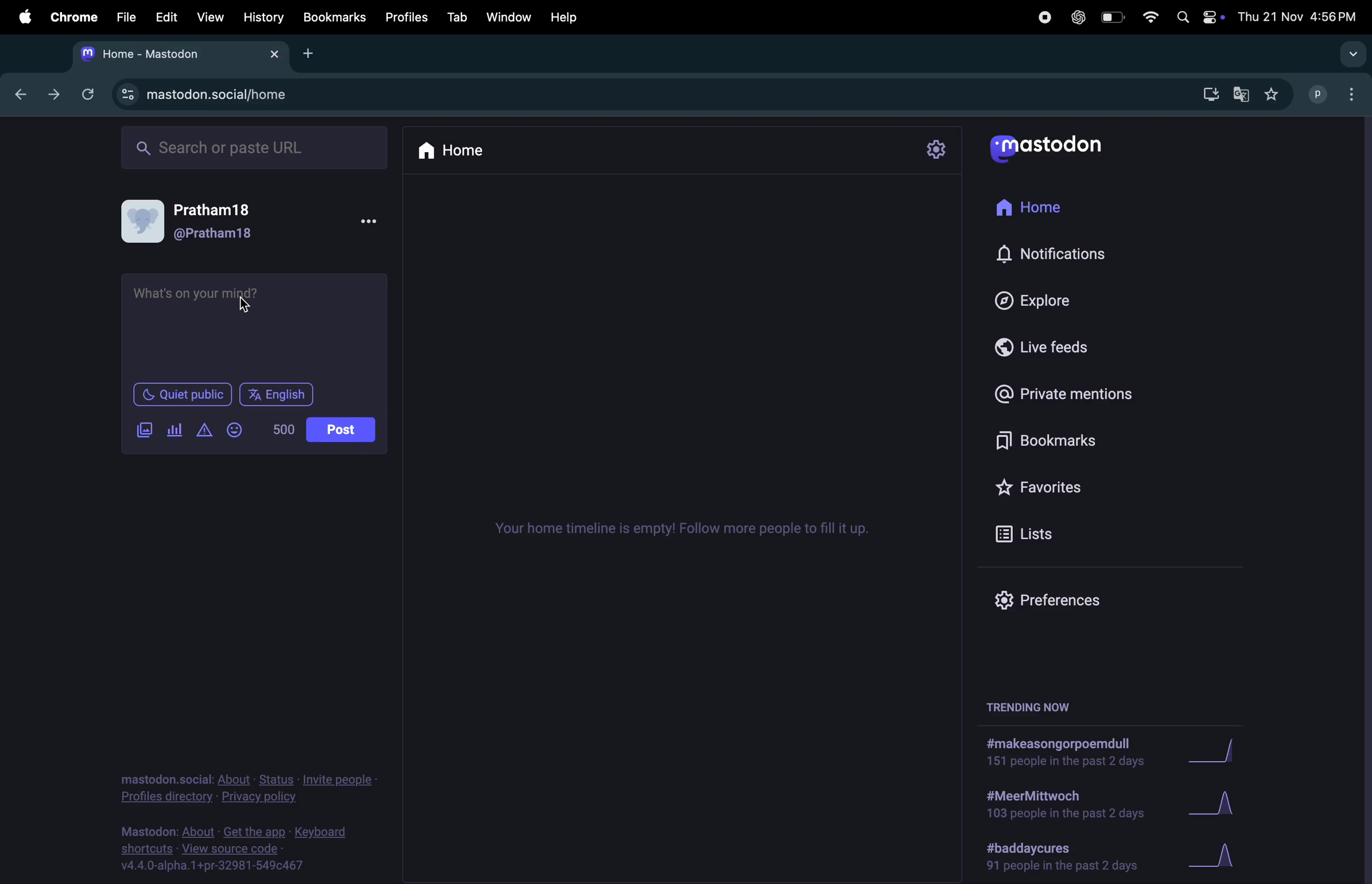 The width and height of the screenshot is (1372, 884). I want to click on add image, so click(148, 431).